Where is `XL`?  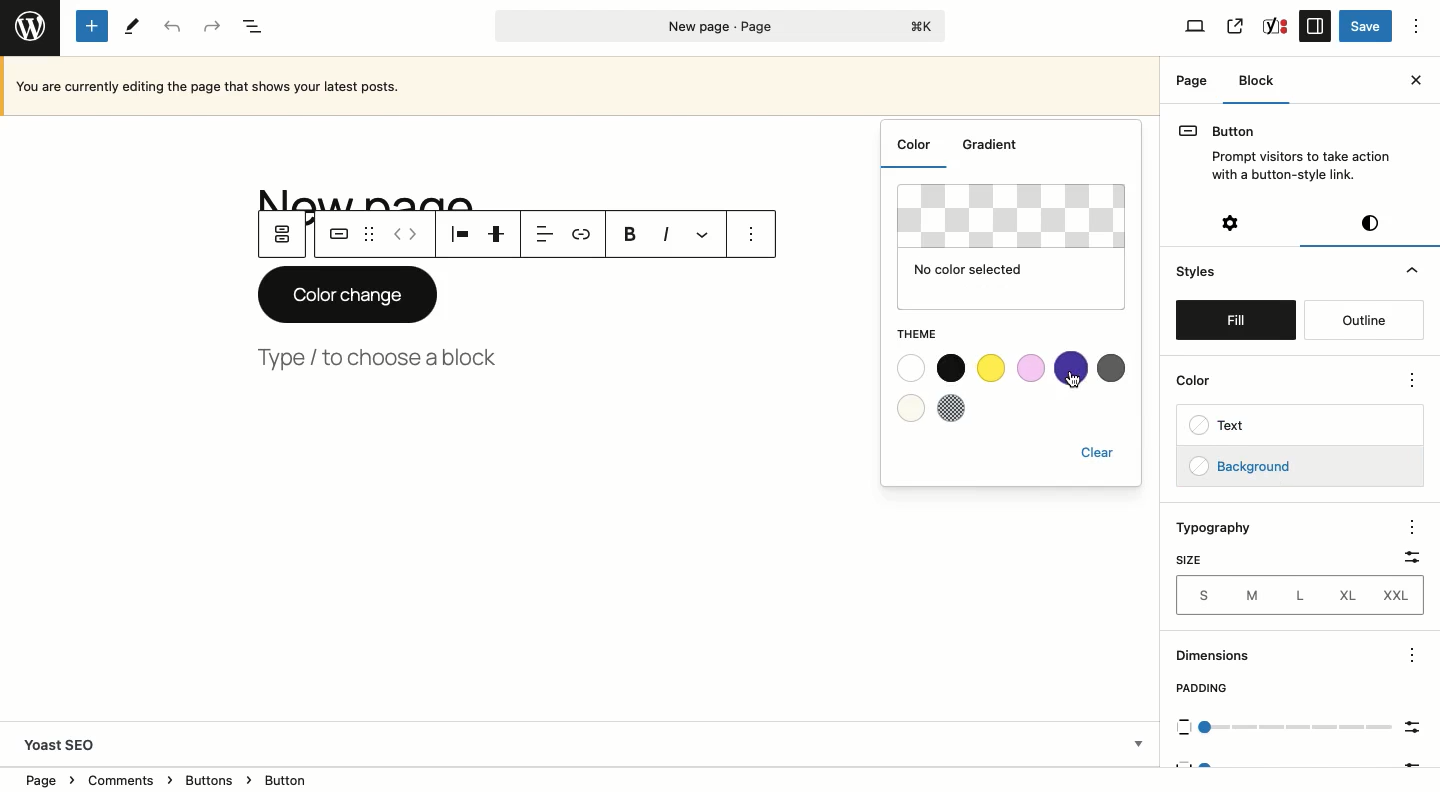 XL is located at coordinates (1349, 596).